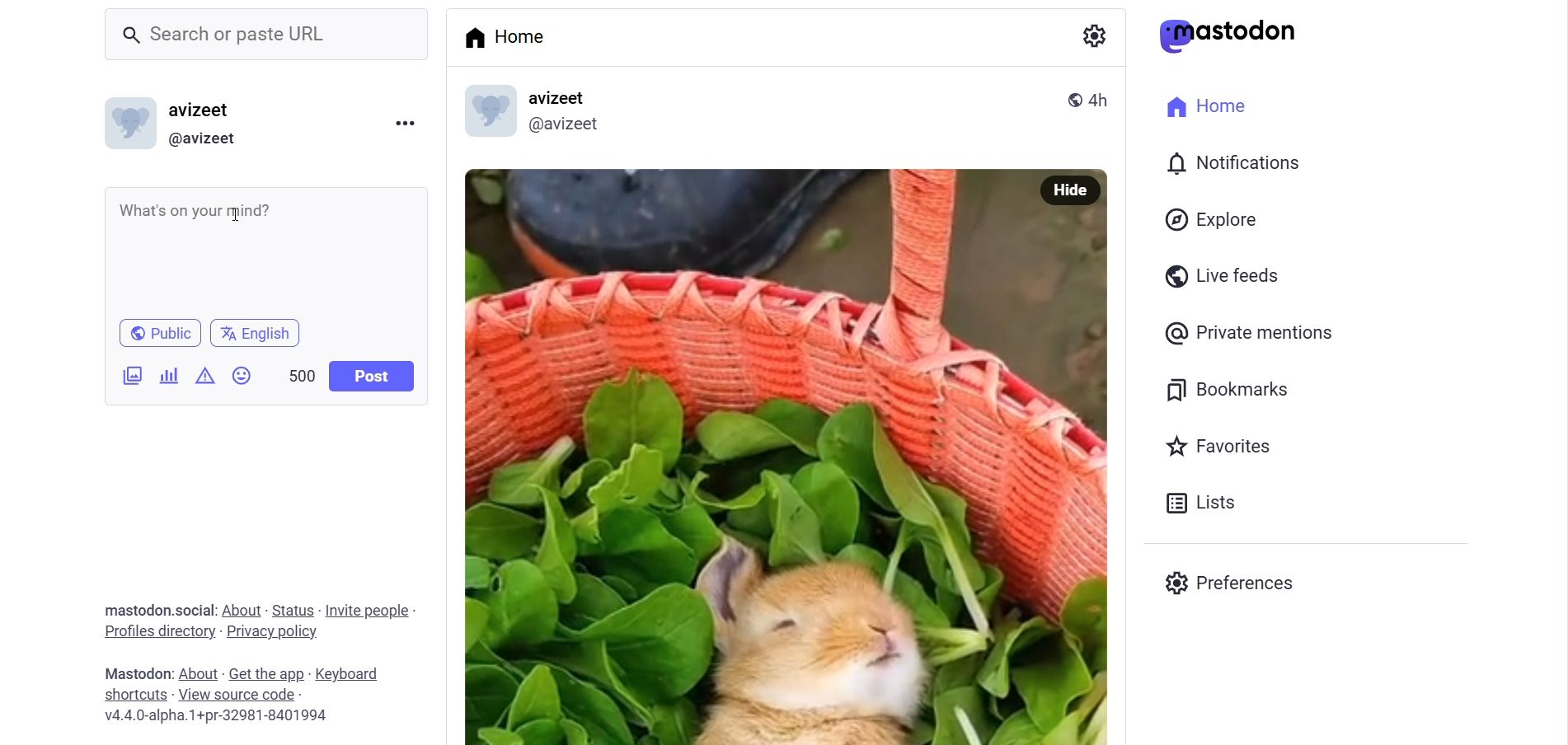 The height and width of the screenshot is (745, 1568). Describe the element at coordinates (134, 692) in the screenshot. I see `shortcut` at that location.